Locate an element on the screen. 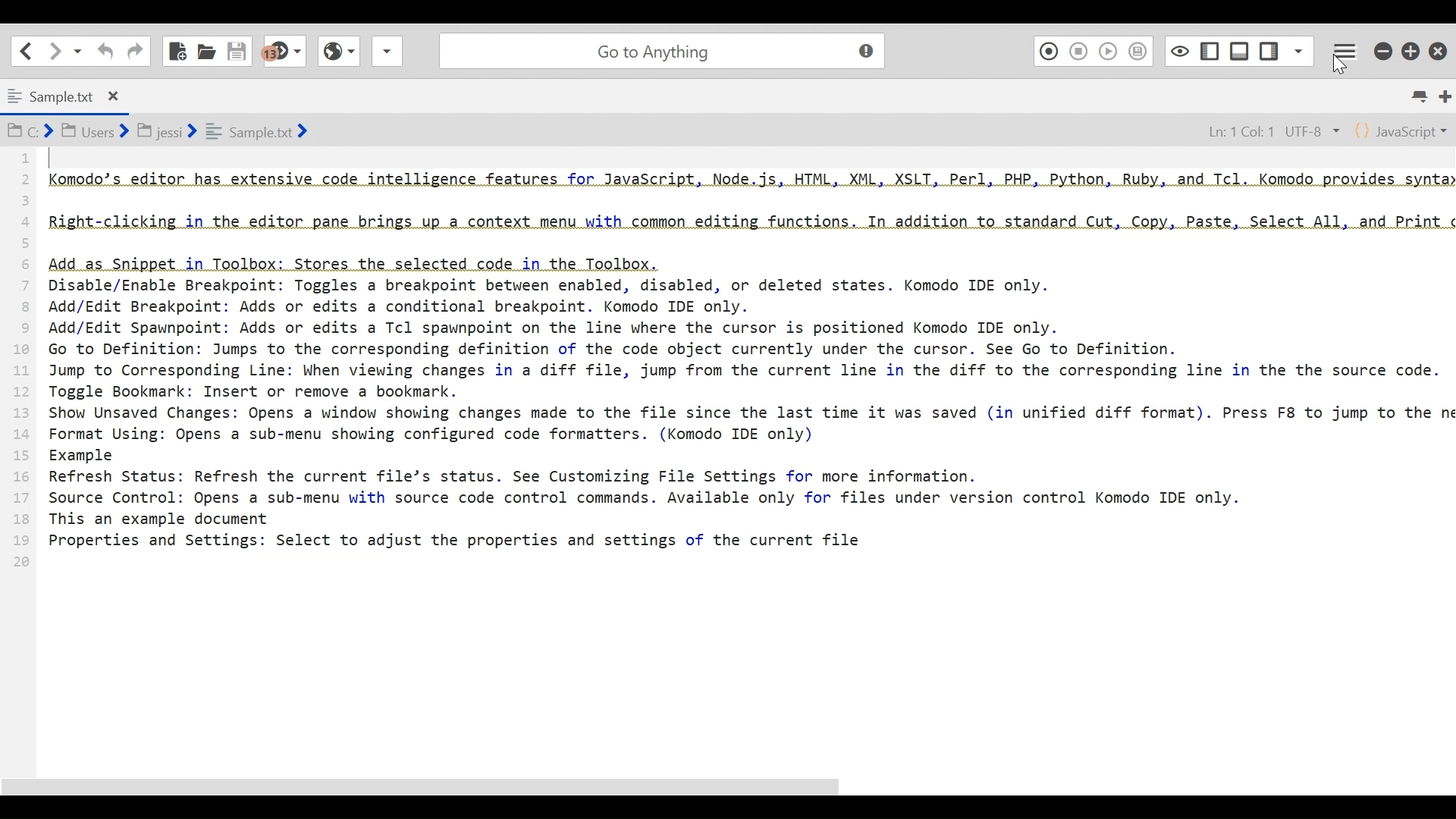 The height and width of the screenshot is (819, 1456). Toggle Focus mode is located at coordinates (1178, 50).